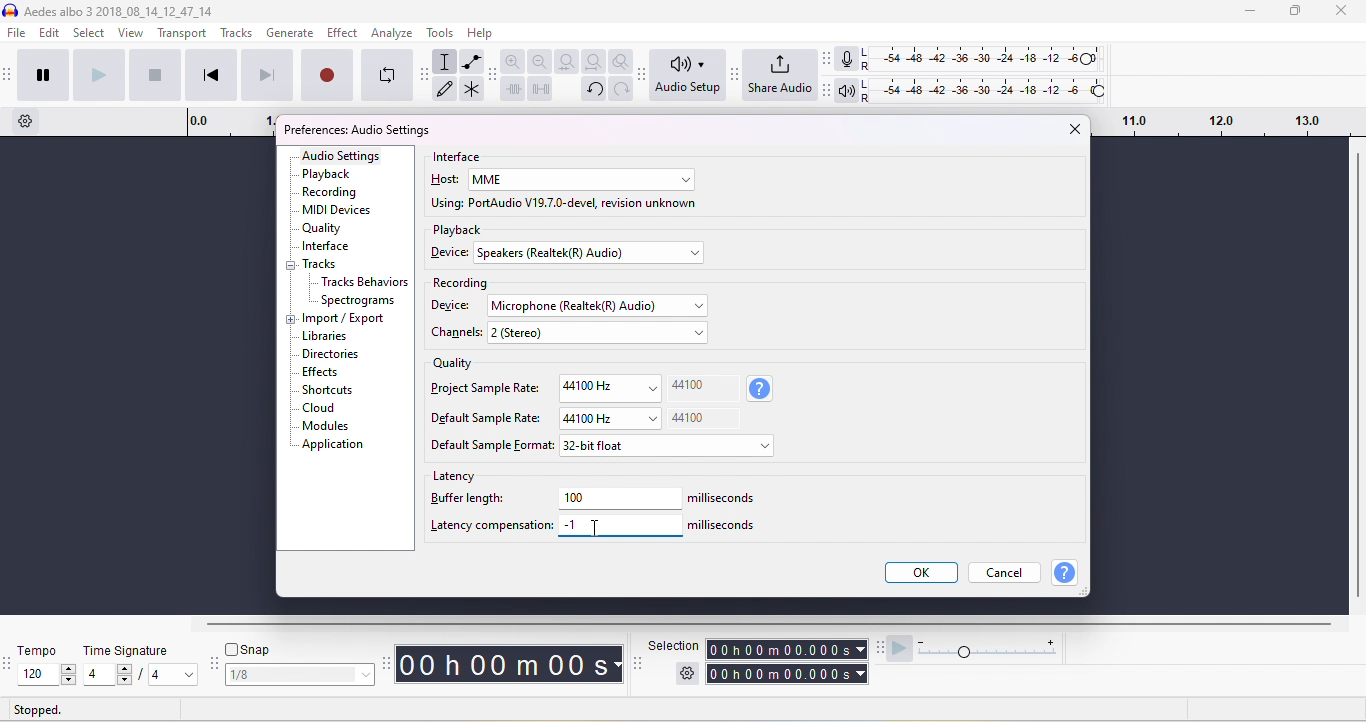 The image size is (1366, 722). I want to click on stopped, so click(39, 711).